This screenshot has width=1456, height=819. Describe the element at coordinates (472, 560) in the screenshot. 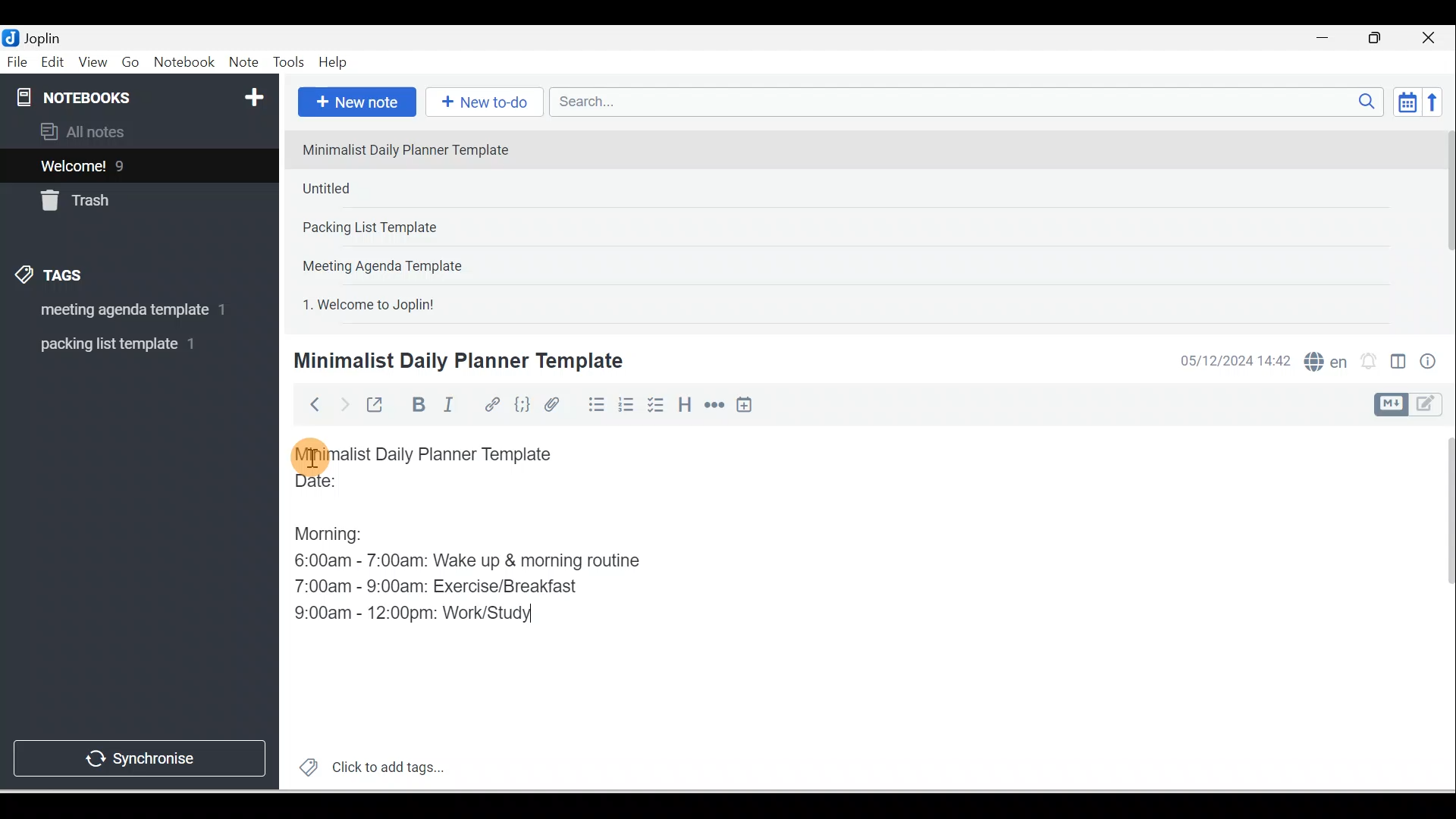

I see `6:00am - 7:00am: Wake up & morning routine` at that location.